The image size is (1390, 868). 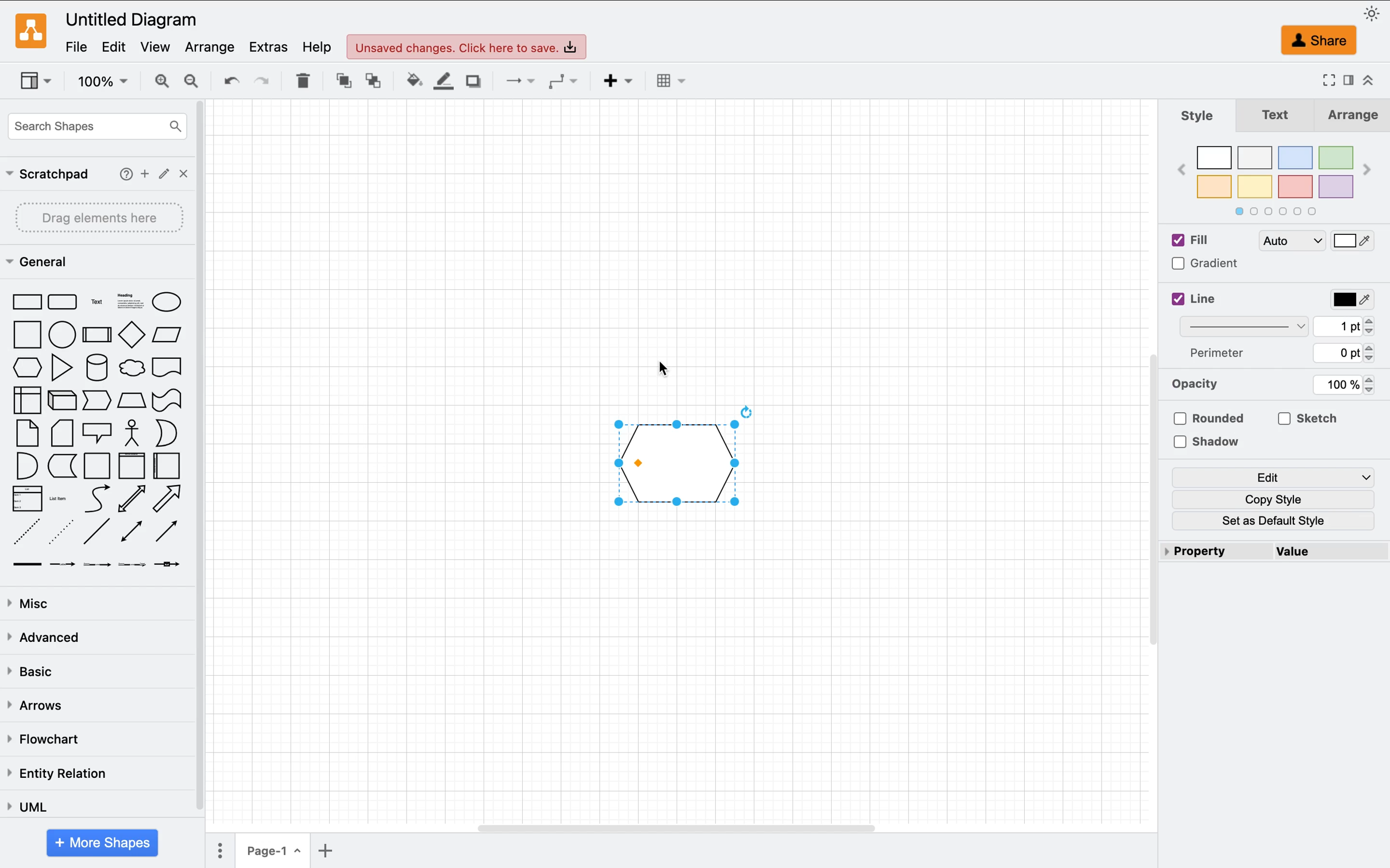 I want to click on cursor, so click(x=660, y=369).